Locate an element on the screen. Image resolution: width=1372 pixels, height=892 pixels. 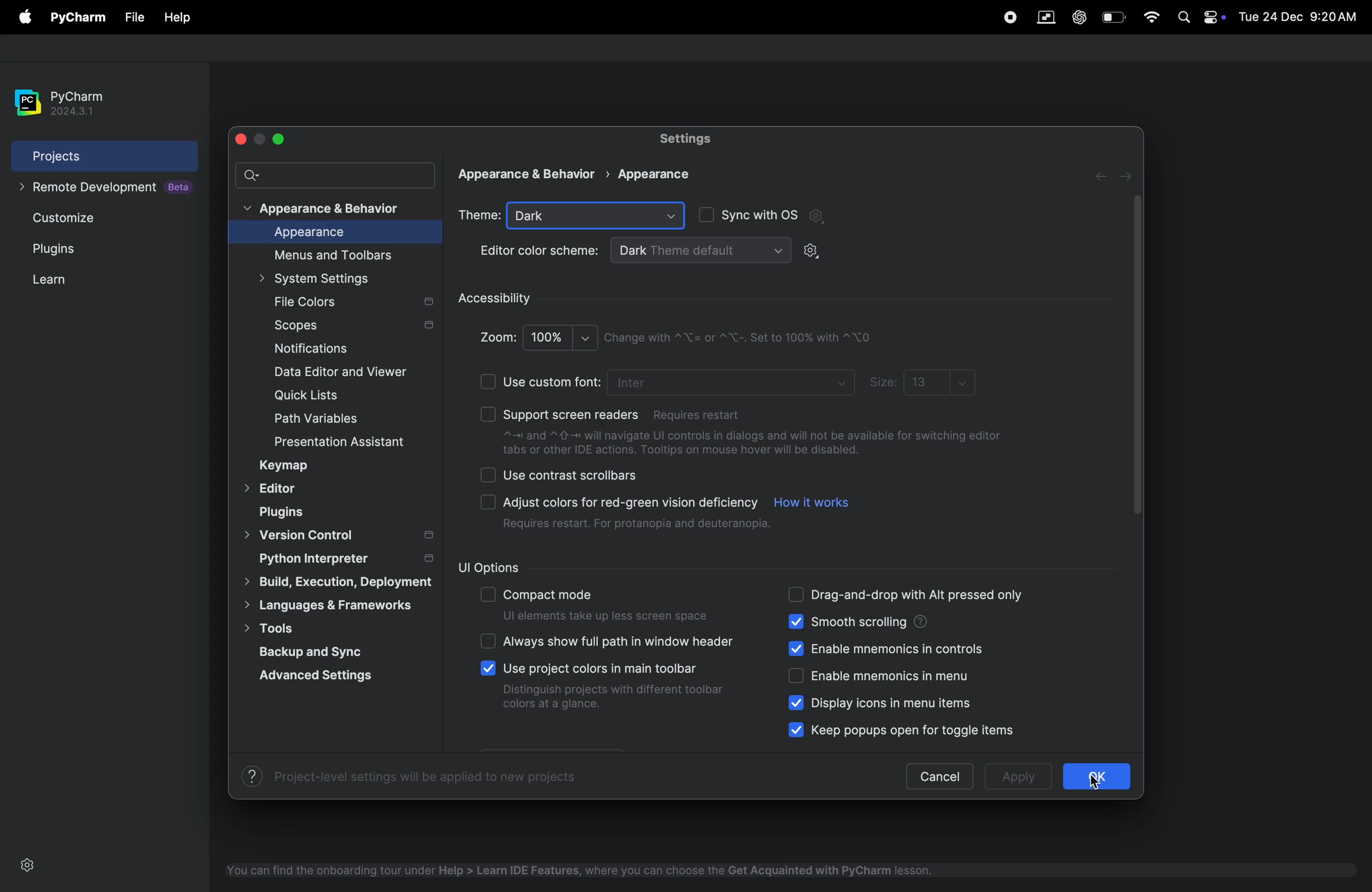
light theme default is located at coordinates (700, 249).